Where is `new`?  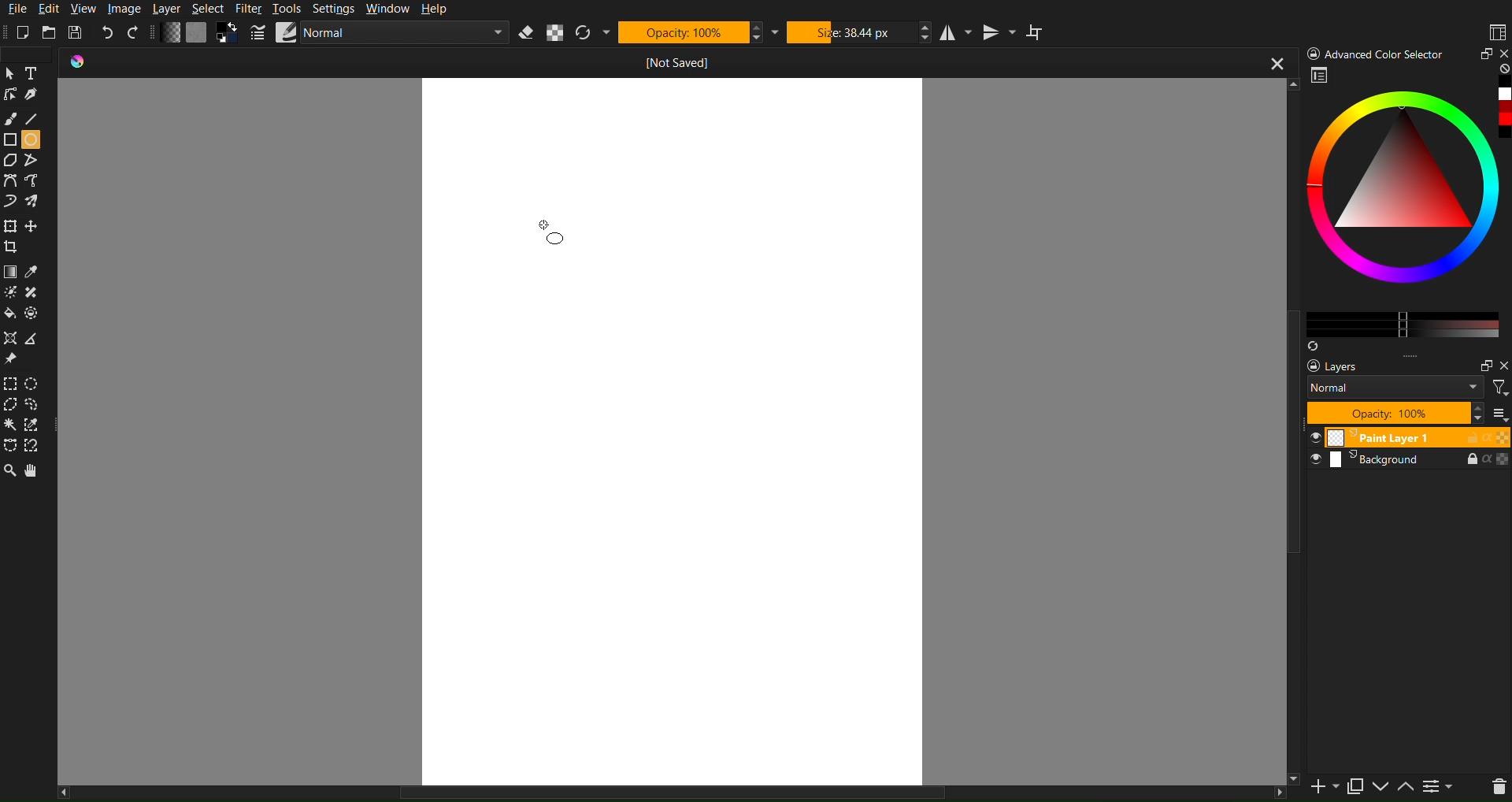 new is located at coordinates (1321, 789).